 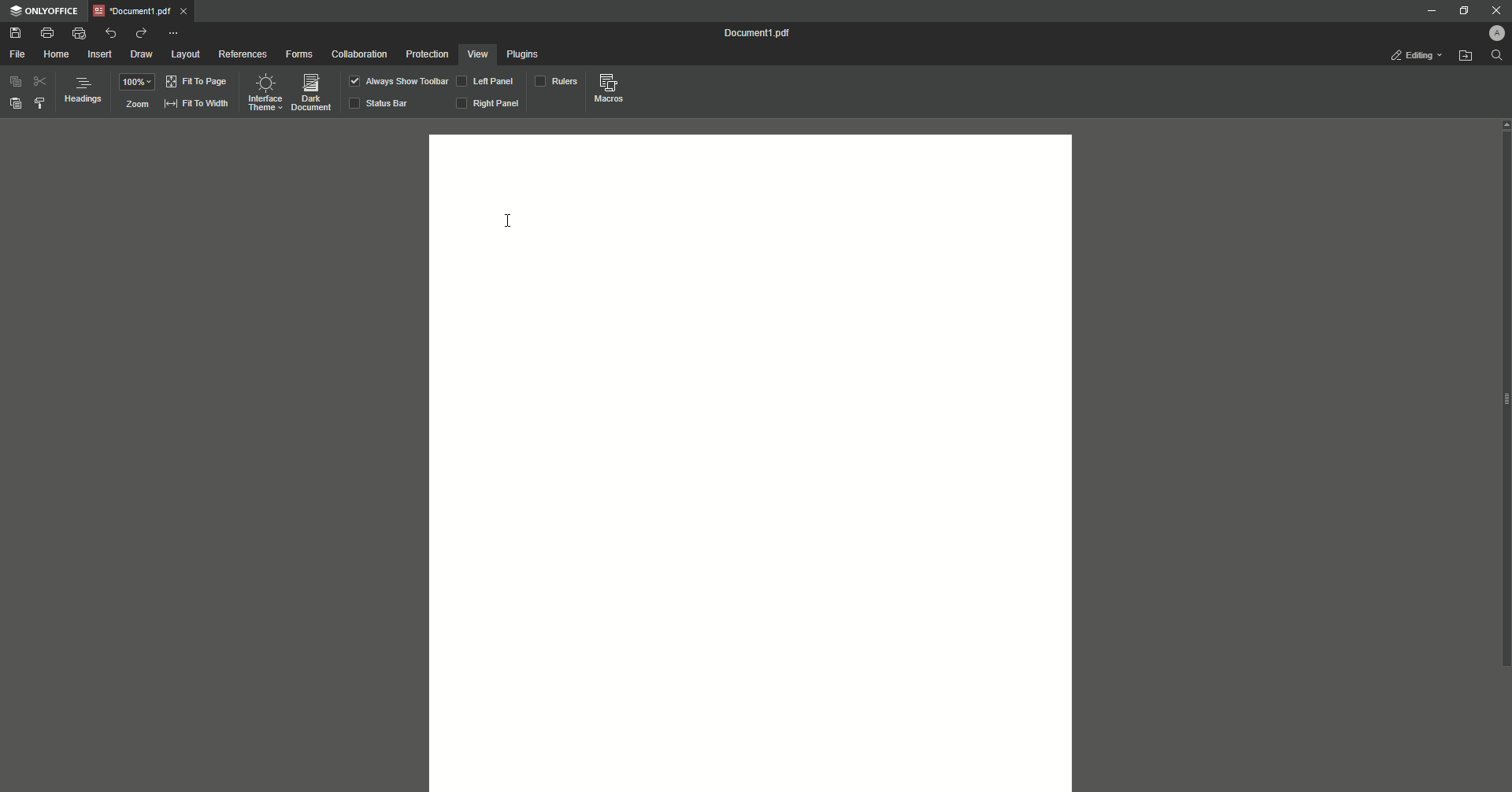 I want to click on Status Bar, so click(x=382, y=102).